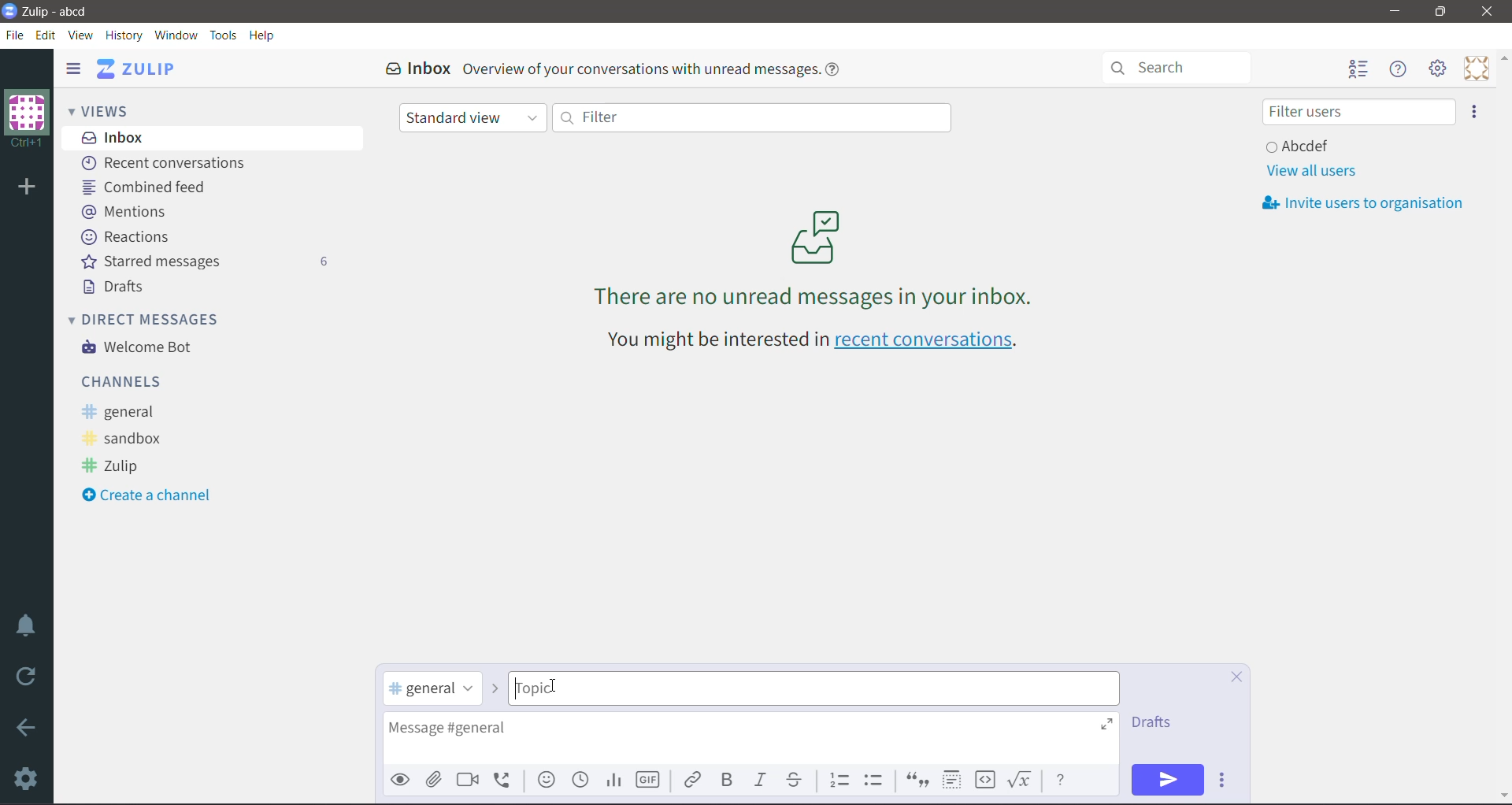 The width and height of the screenshot is (1512, 805). Describe the element at coordinates (153, 496) in the screenshot. I see `Create a Channel` at that location.